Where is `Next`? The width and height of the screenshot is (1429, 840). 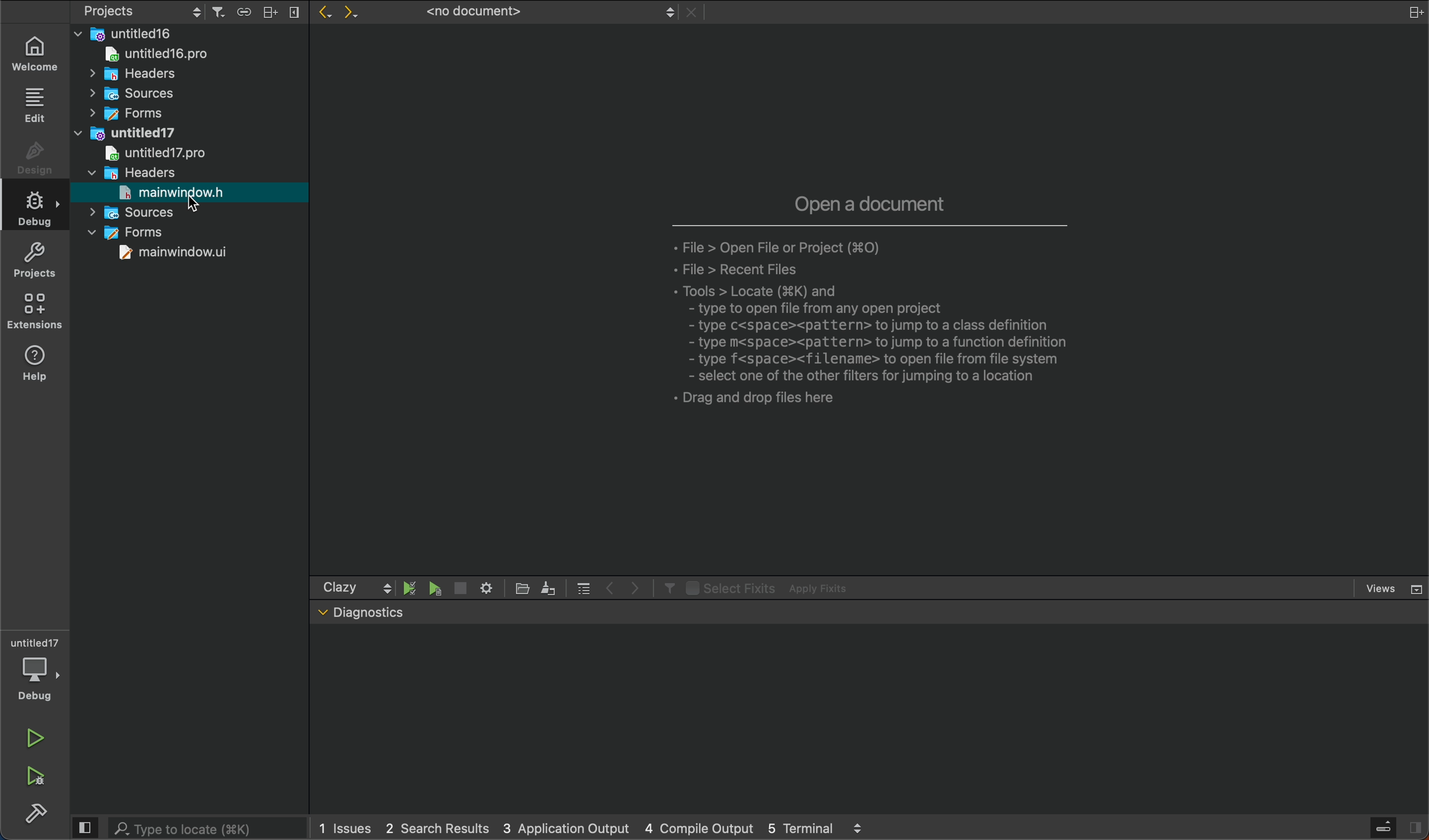
Next is located at coordinates (636, 587).